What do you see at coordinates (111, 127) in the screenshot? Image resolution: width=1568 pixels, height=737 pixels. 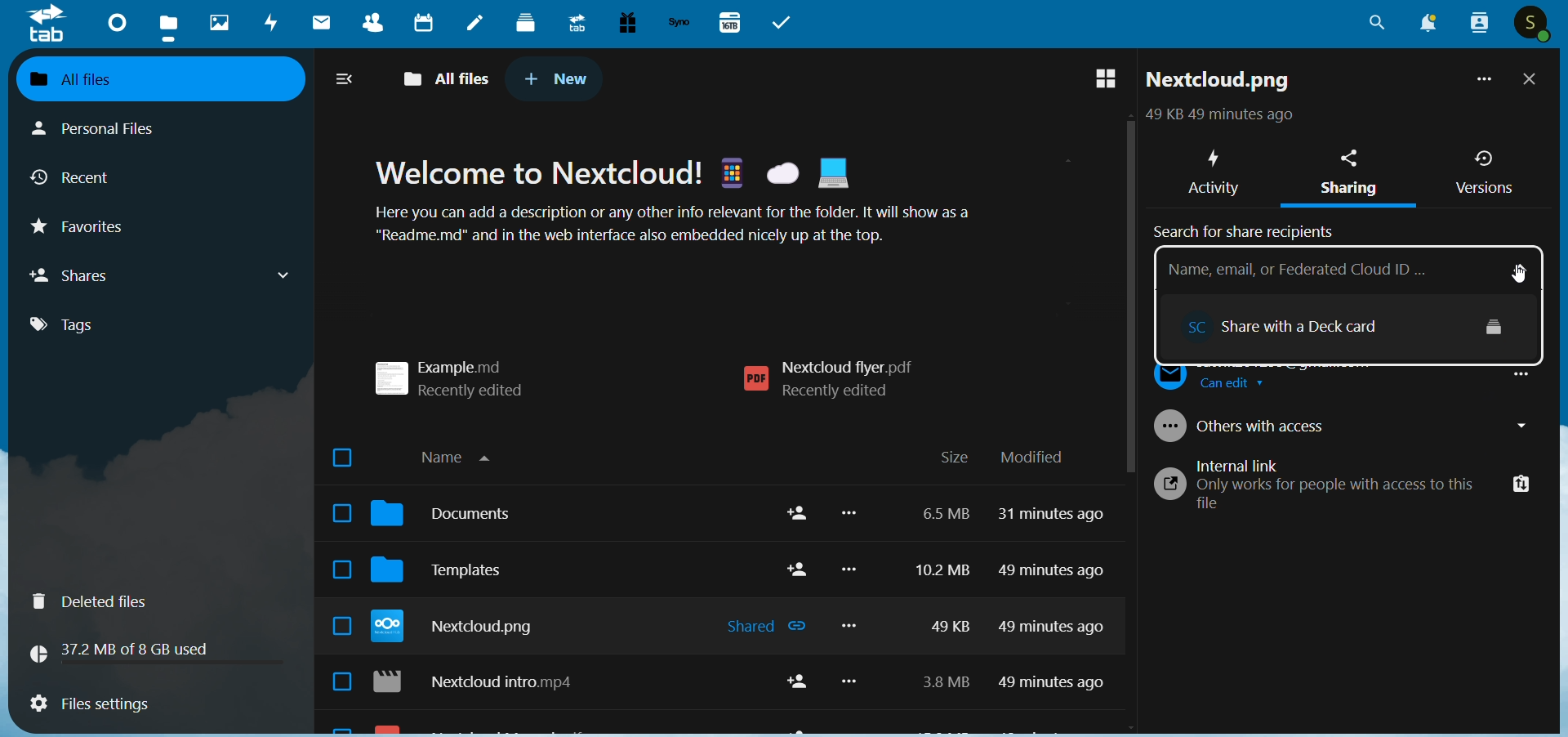 I see `personal files` at bounding box center [111, 127].